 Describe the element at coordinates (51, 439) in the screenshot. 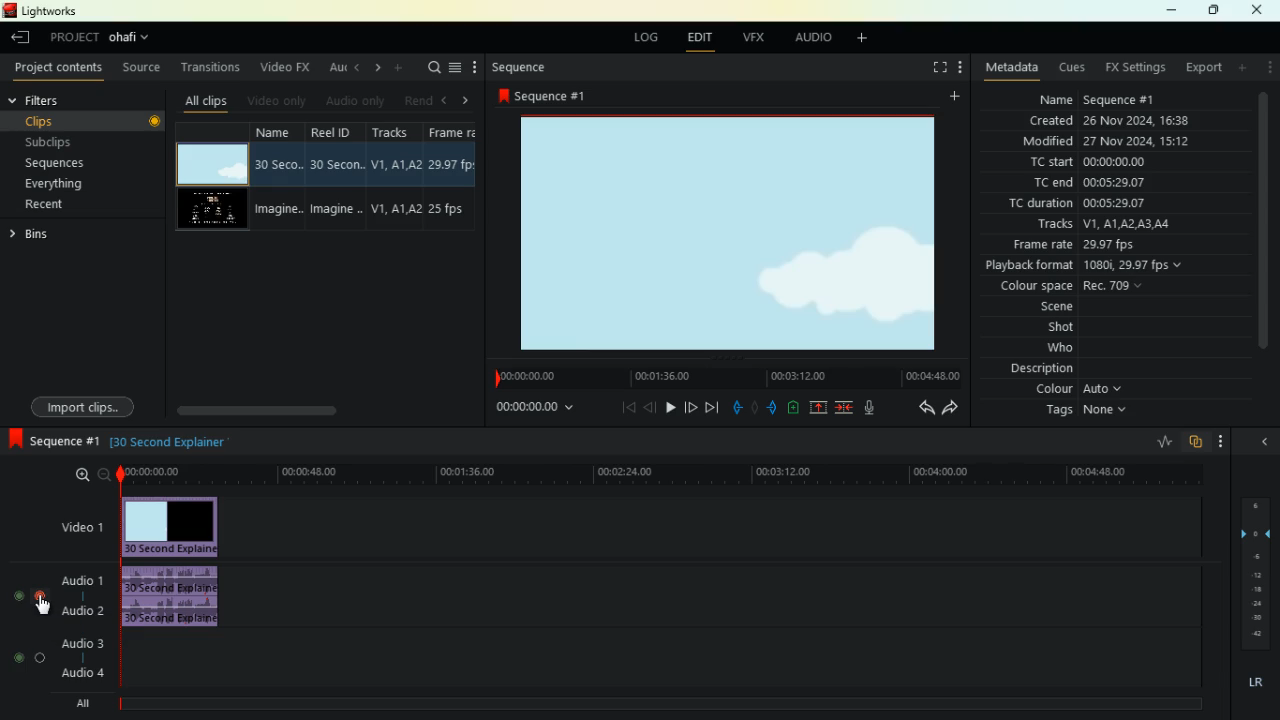

I see `sequence` at that location.